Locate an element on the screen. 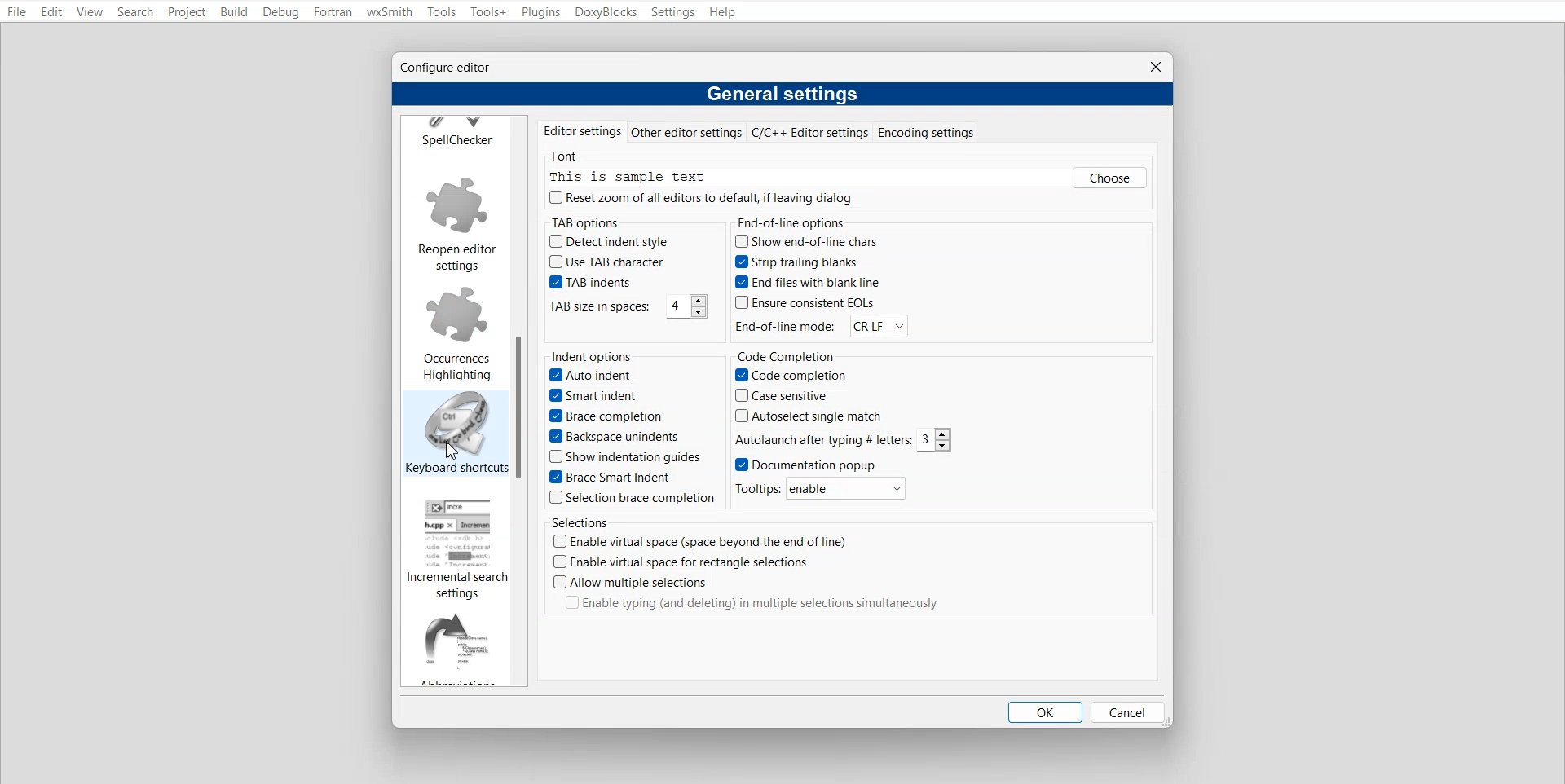  Indent options is located at coordinates (593, 355).